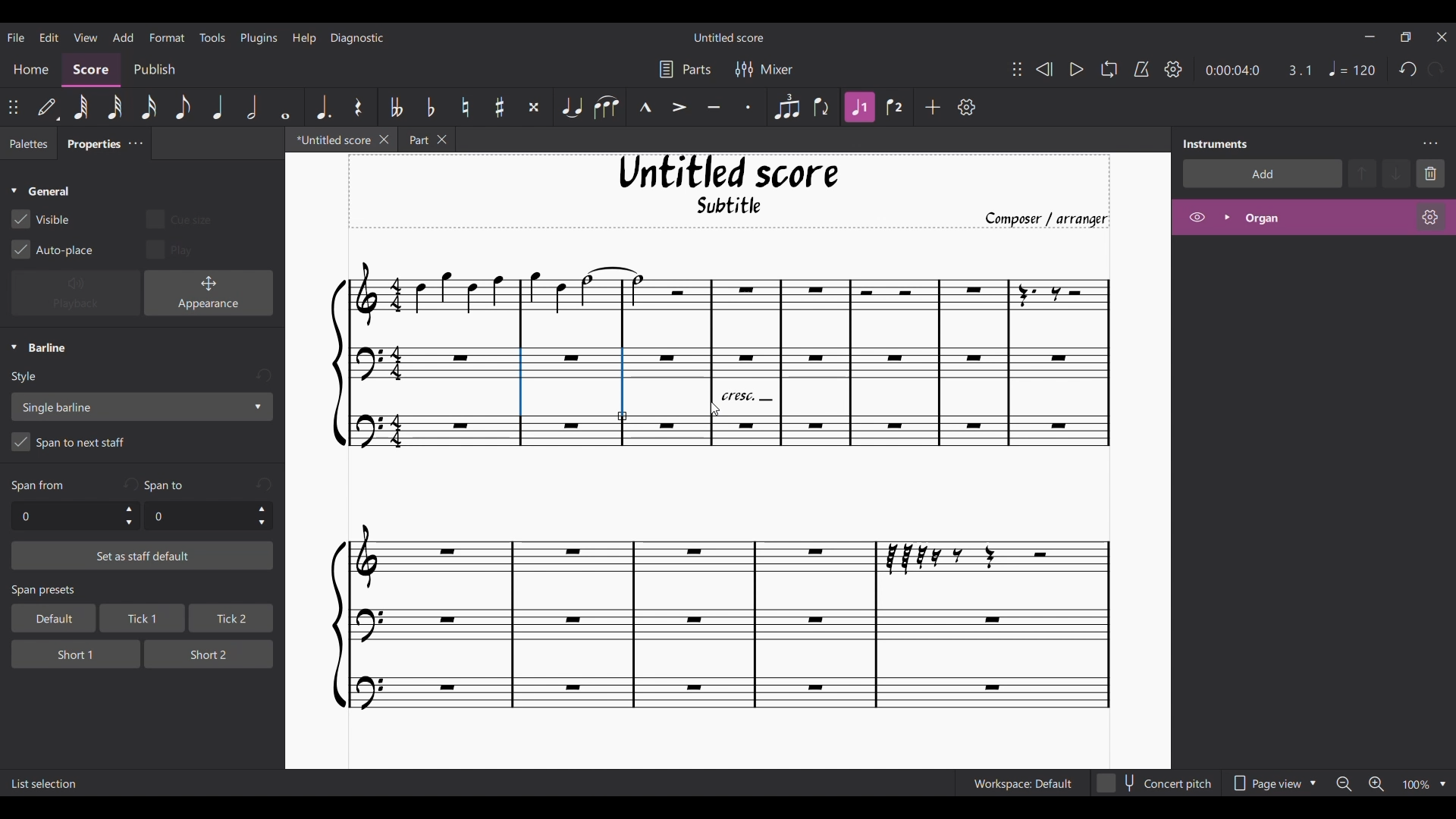 This screenshot has height=819, width=1456. I want to click on Whole note, so click(287, 106).